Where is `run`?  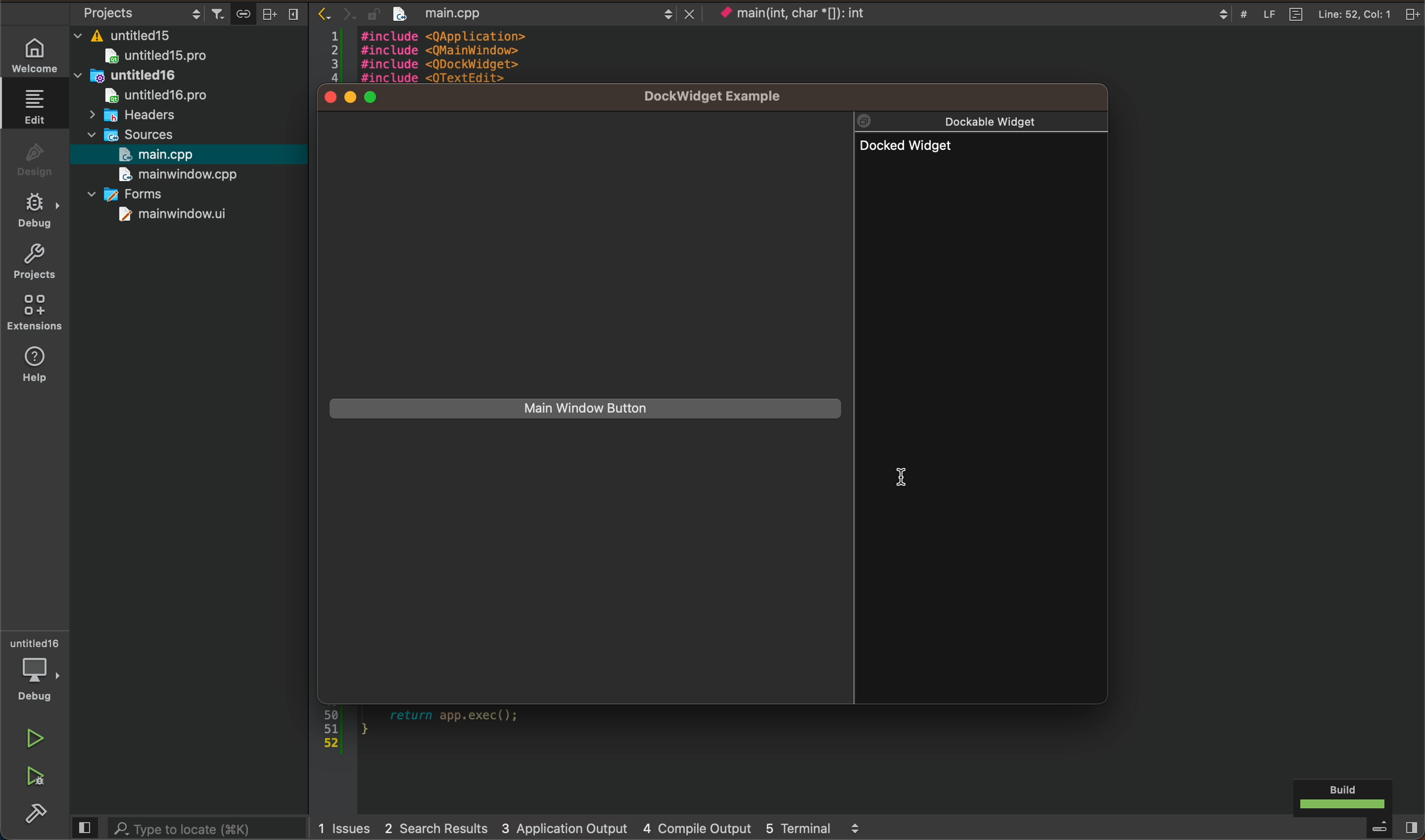
run is located at coordinates (33, 738).